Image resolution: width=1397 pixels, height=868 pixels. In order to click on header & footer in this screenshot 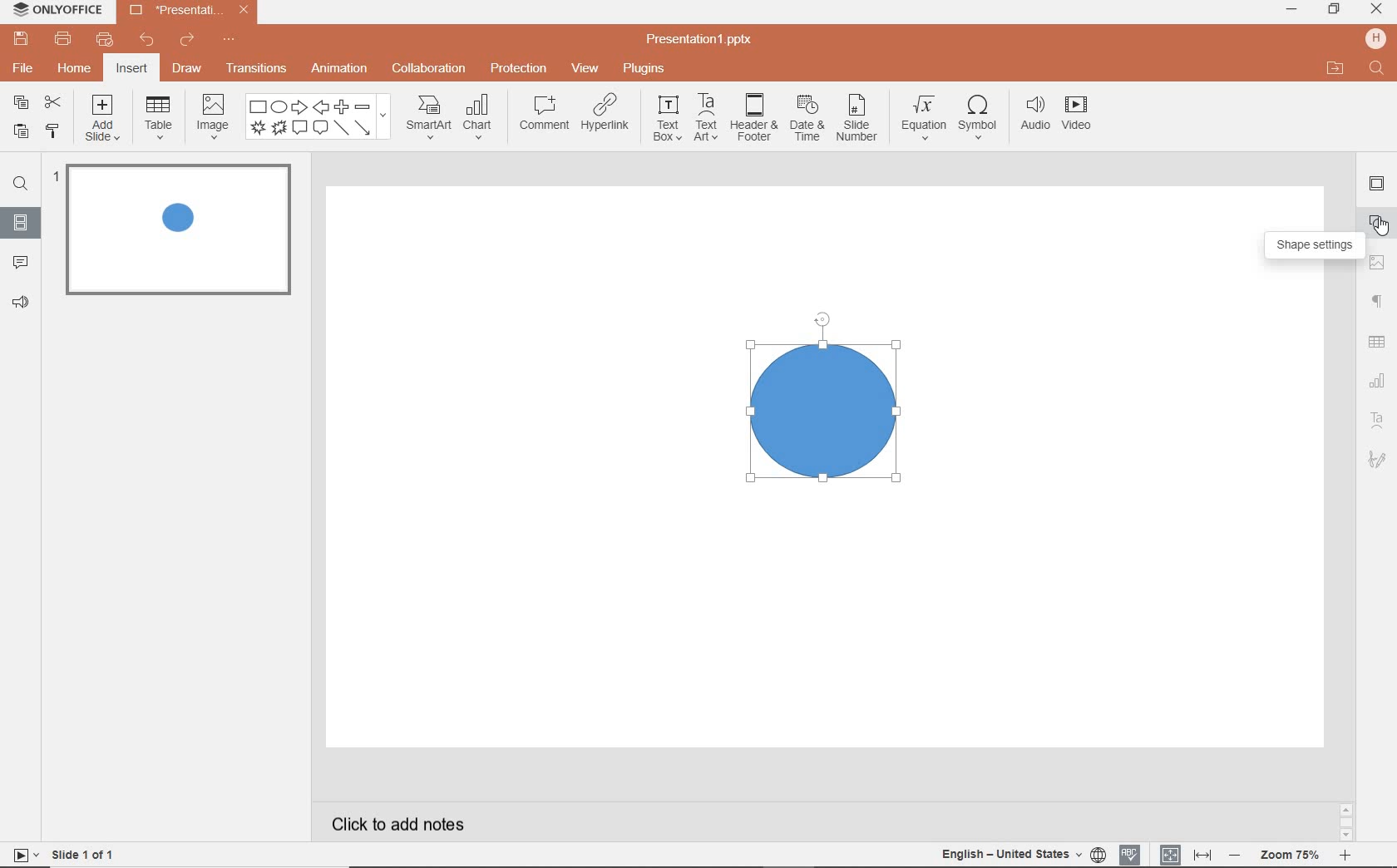, I will do `click(754, 120)`.